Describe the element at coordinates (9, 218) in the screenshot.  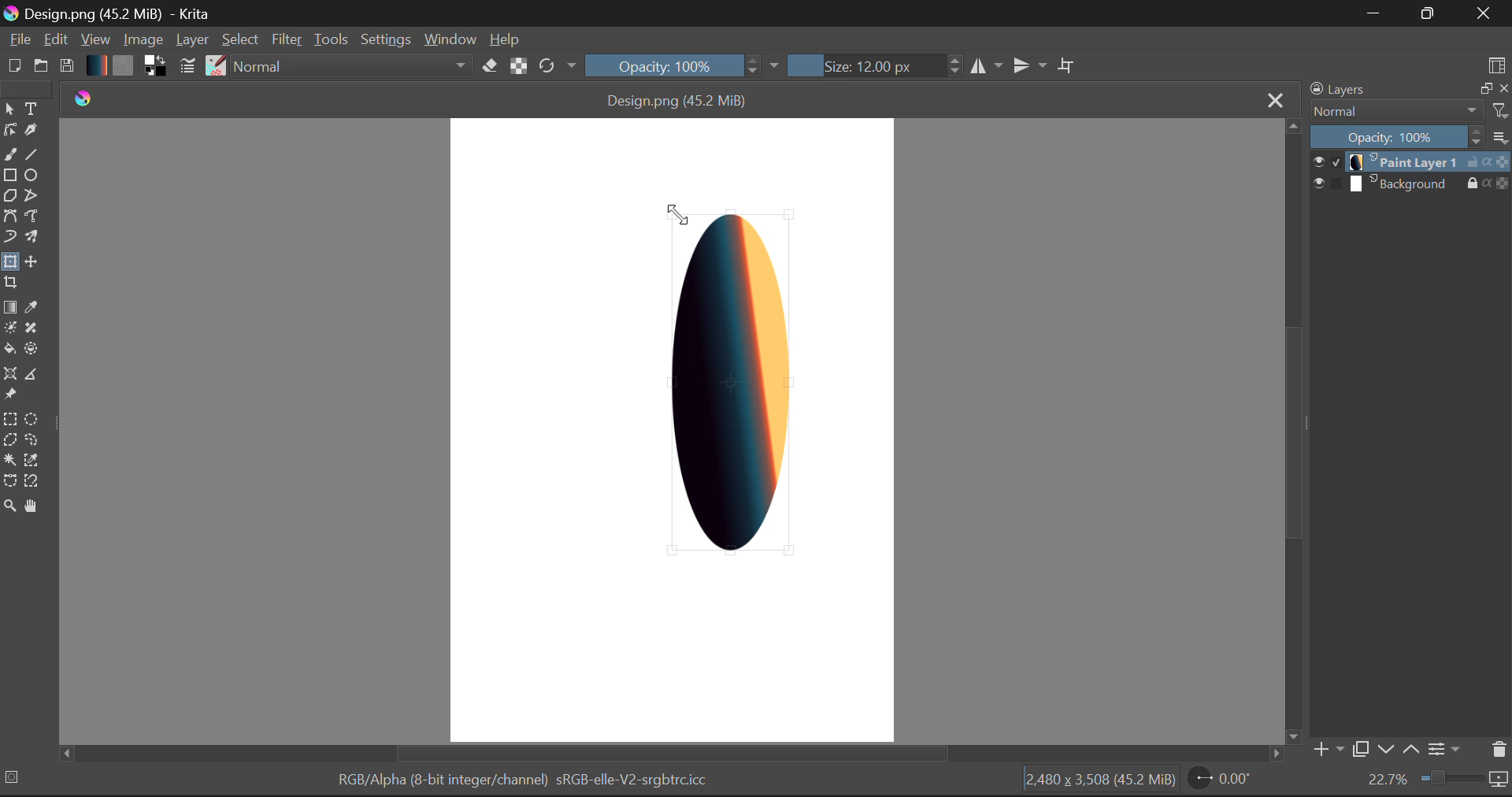
I see `Bezier Curve` at that location.